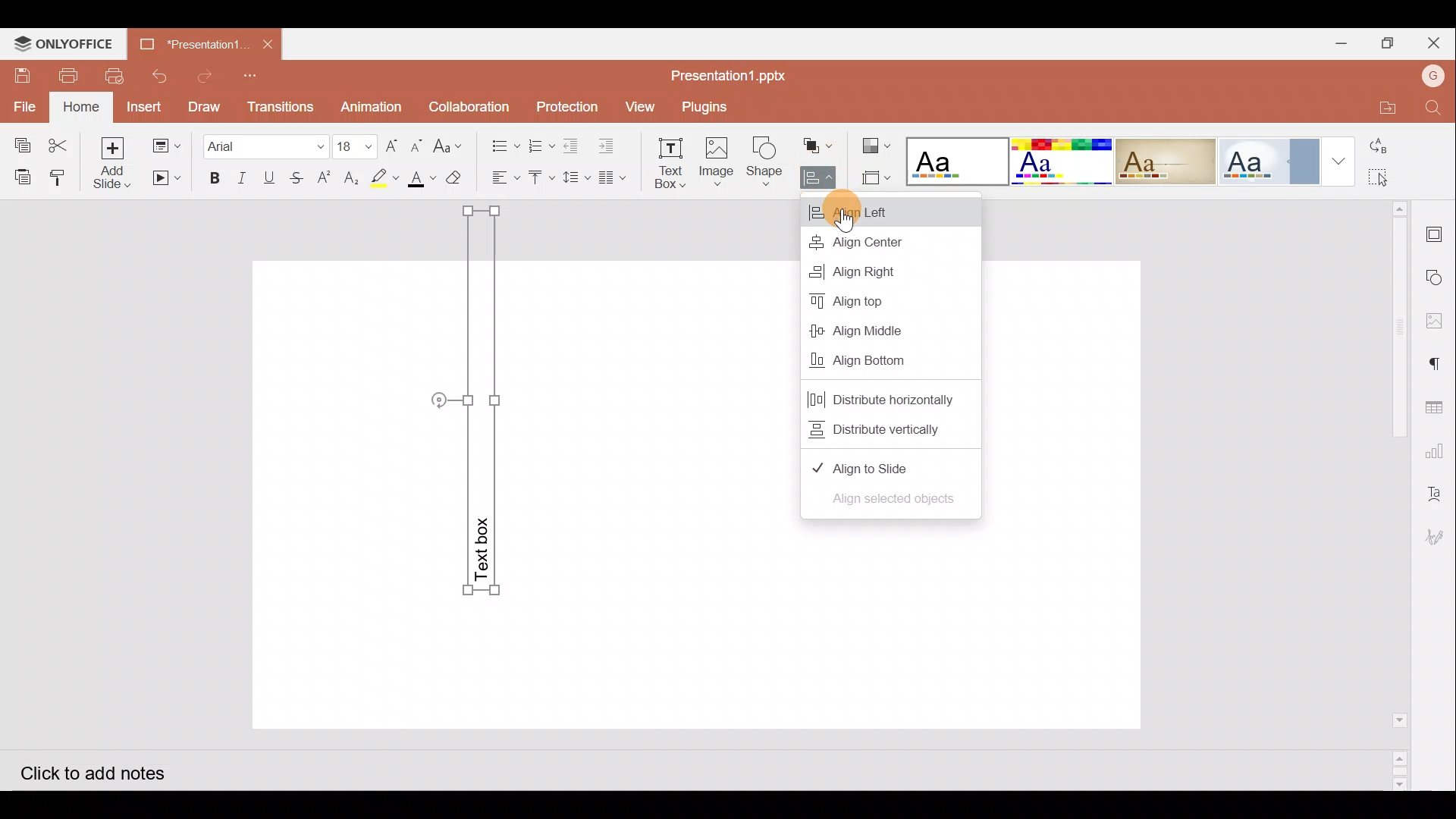  I want to click on Print file, so click(62, 75).